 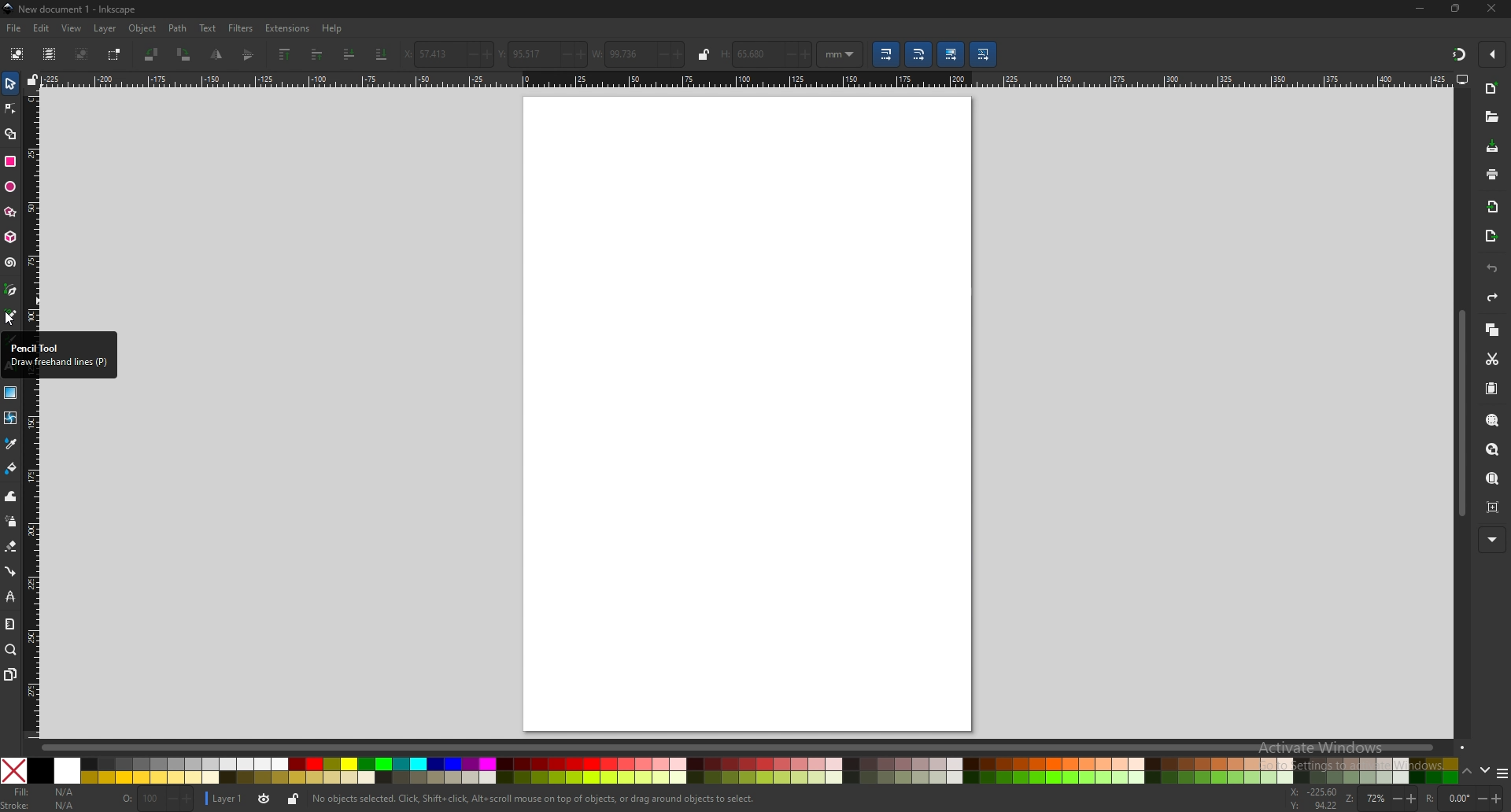 I want to click on lower one step, so click(x=351, y=54).